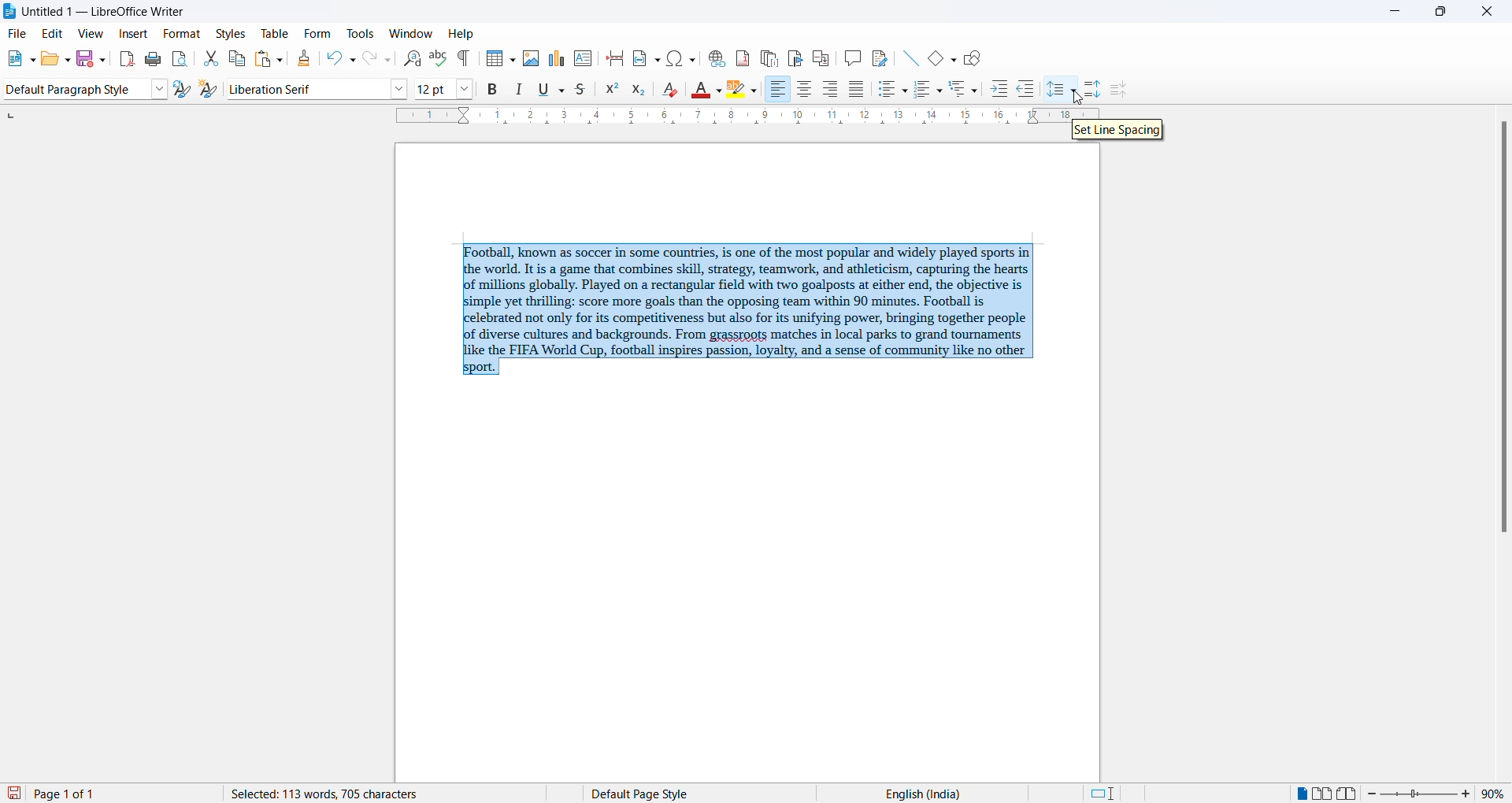 Image resolution: width=1512 pixels, height=803 pixels. What do you see at coordinates (11, 60) in the screenshot?
I see `new file` at bounding box center [11, 60].